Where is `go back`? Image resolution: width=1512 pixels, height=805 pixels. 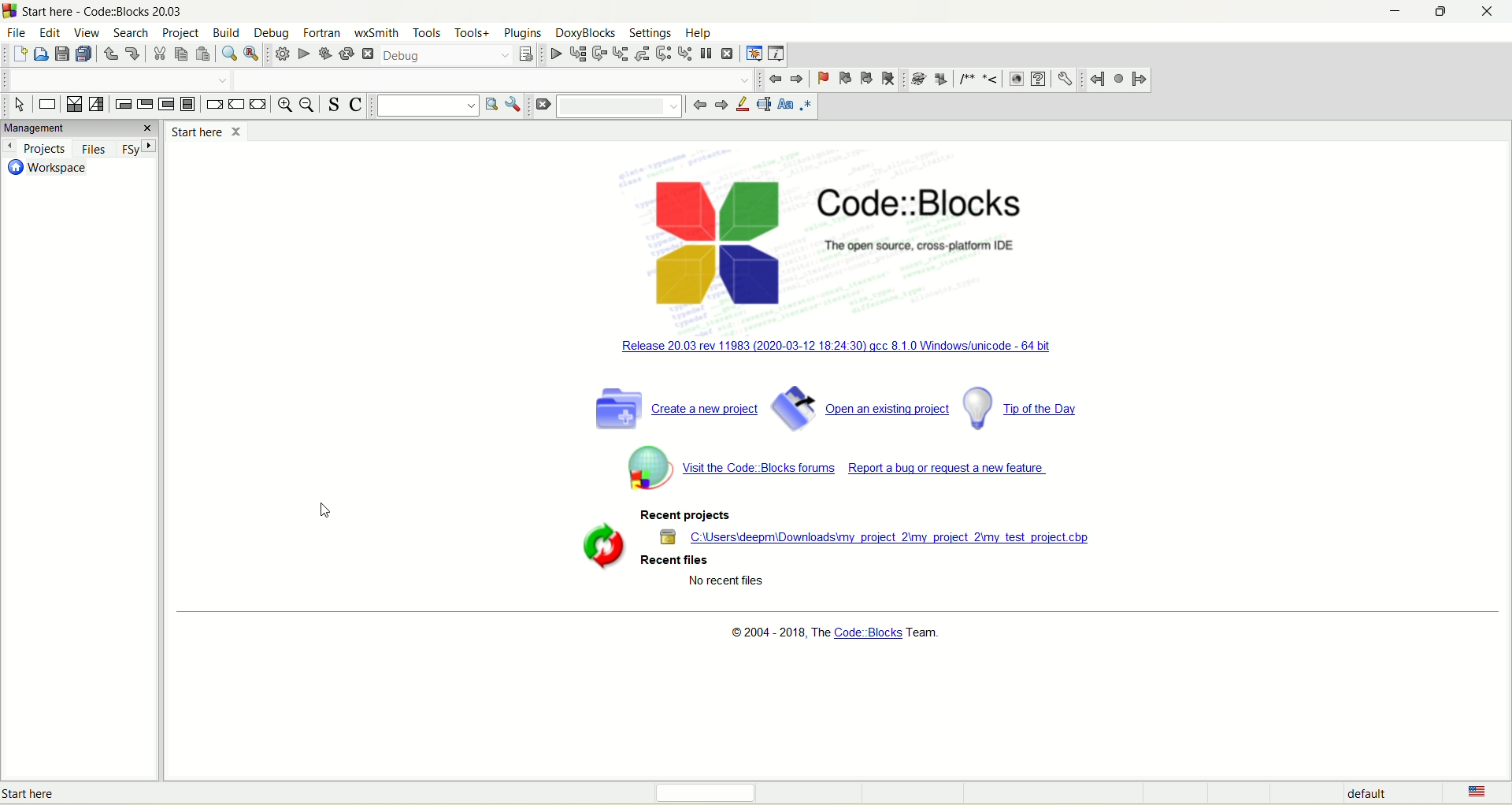
go back is located at coordinates (698, 106).